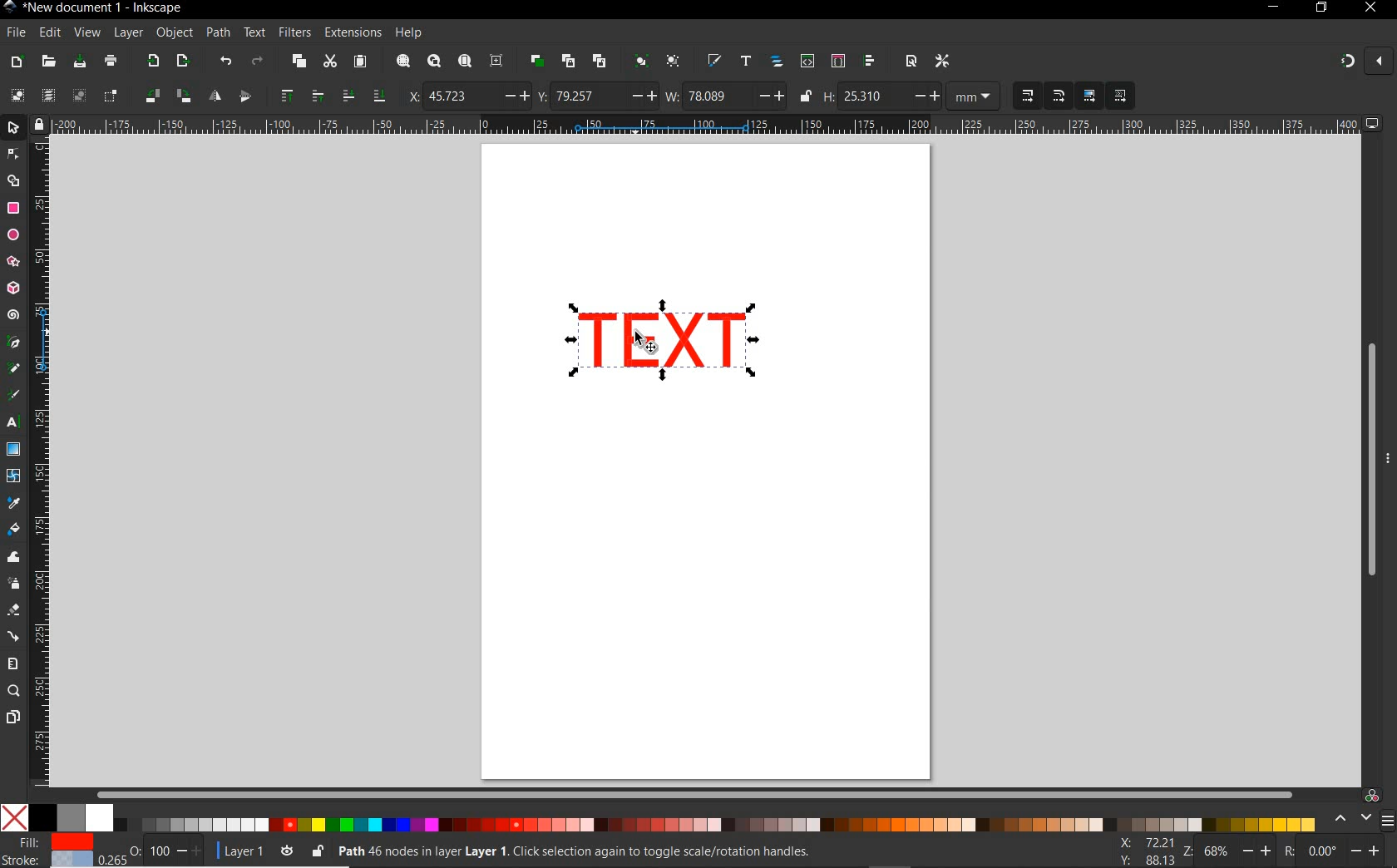 This screenshot has height=868, width=1397. I want to click on SPRAY TOOL, so click(15, 584).